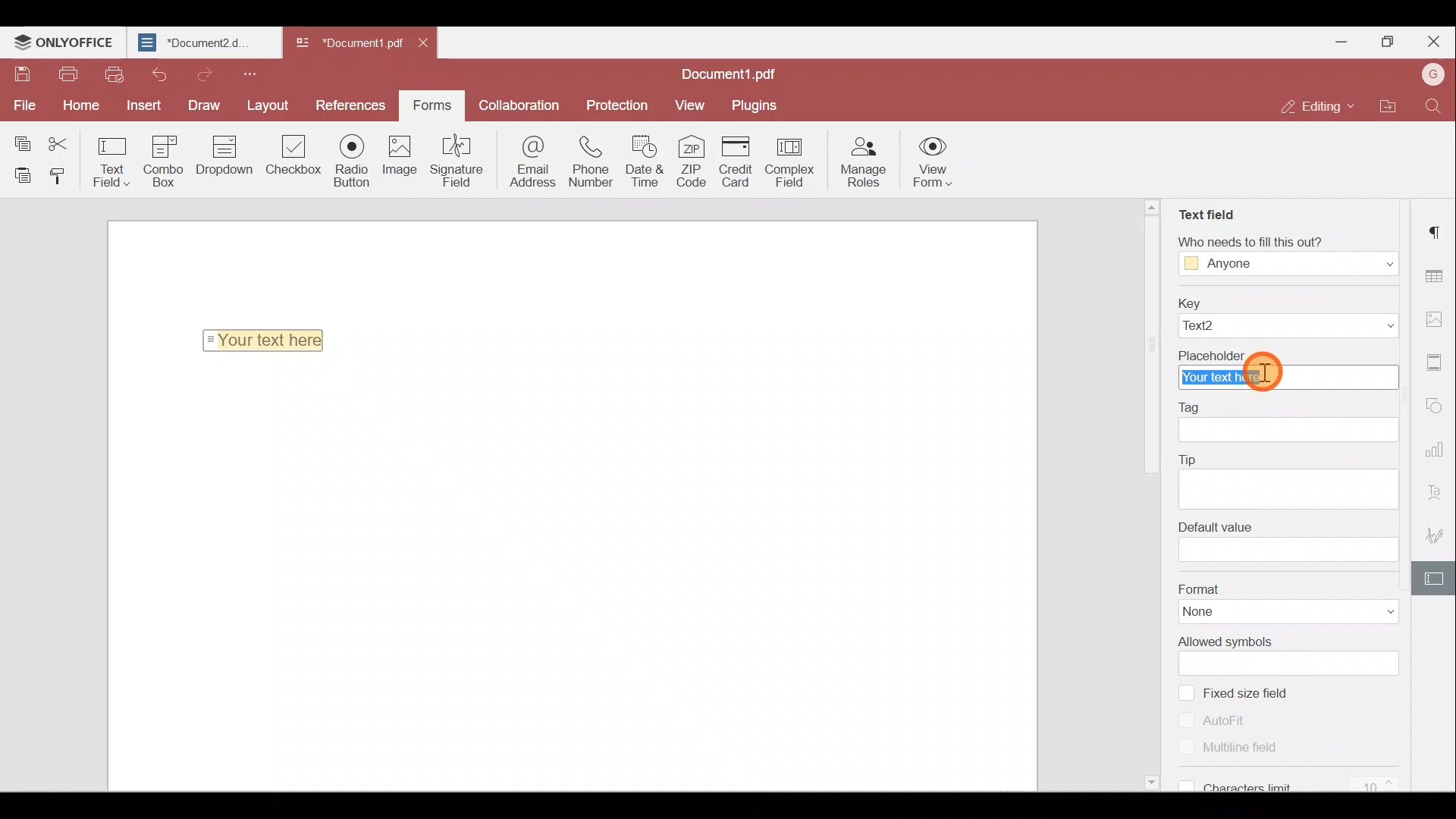 This screenshot has width=1456, height=819. I want to click on Chart settings, so click(1437, 448).